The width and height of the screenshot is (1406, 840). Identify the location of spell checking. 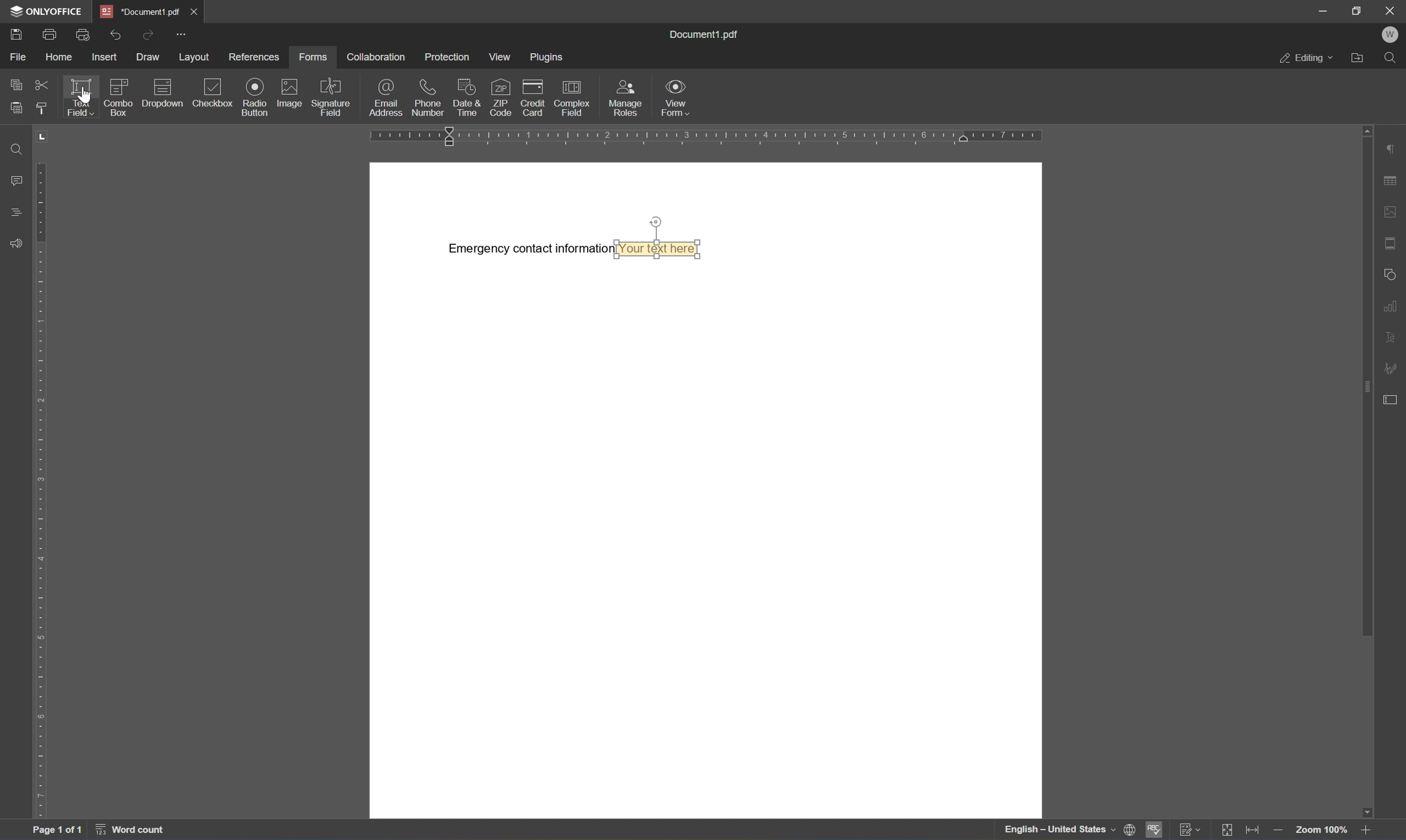
(1155, 830).